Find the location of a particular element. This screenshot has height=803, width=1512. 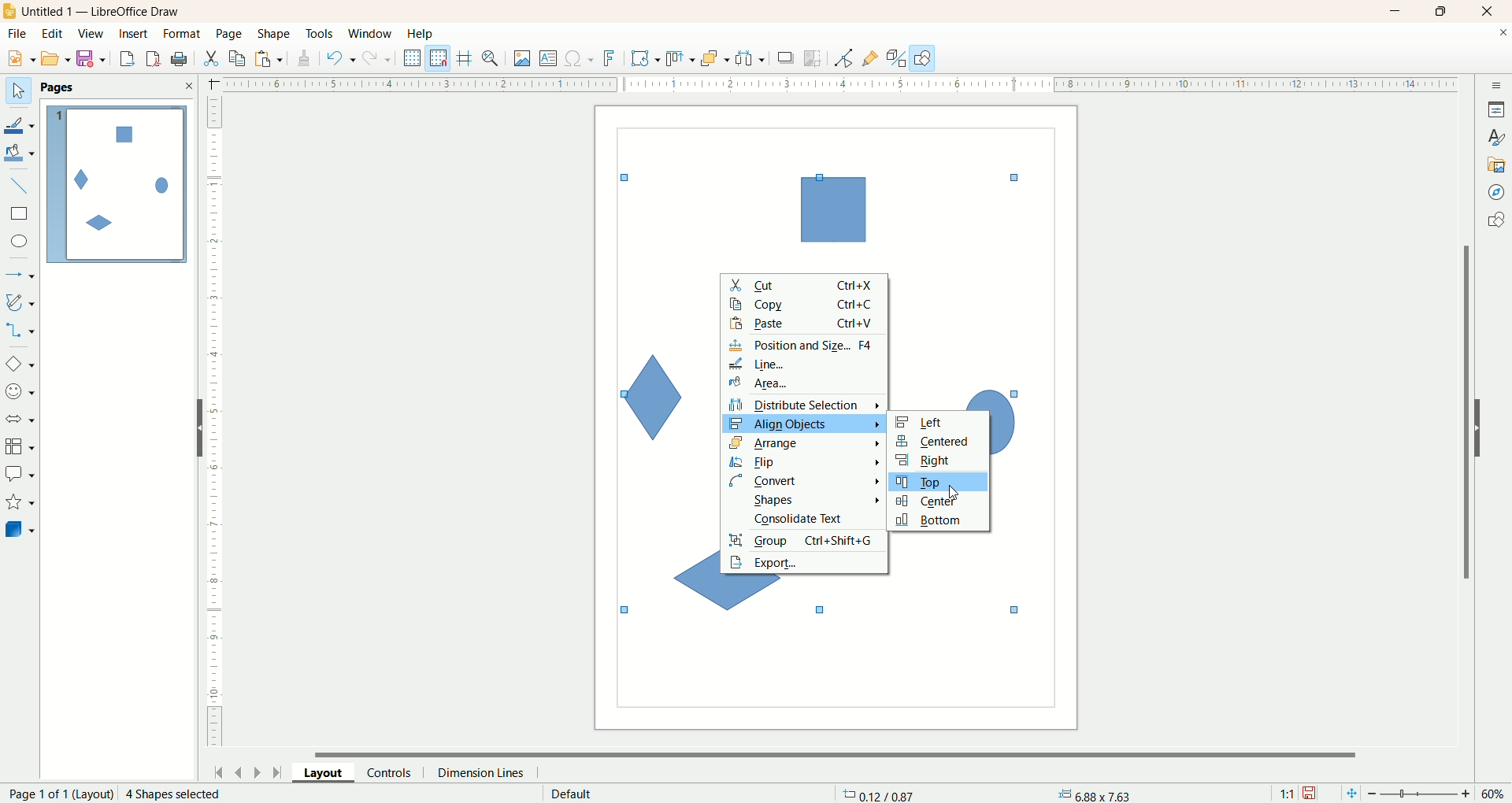

arrange is located at coordinates (716, 57).